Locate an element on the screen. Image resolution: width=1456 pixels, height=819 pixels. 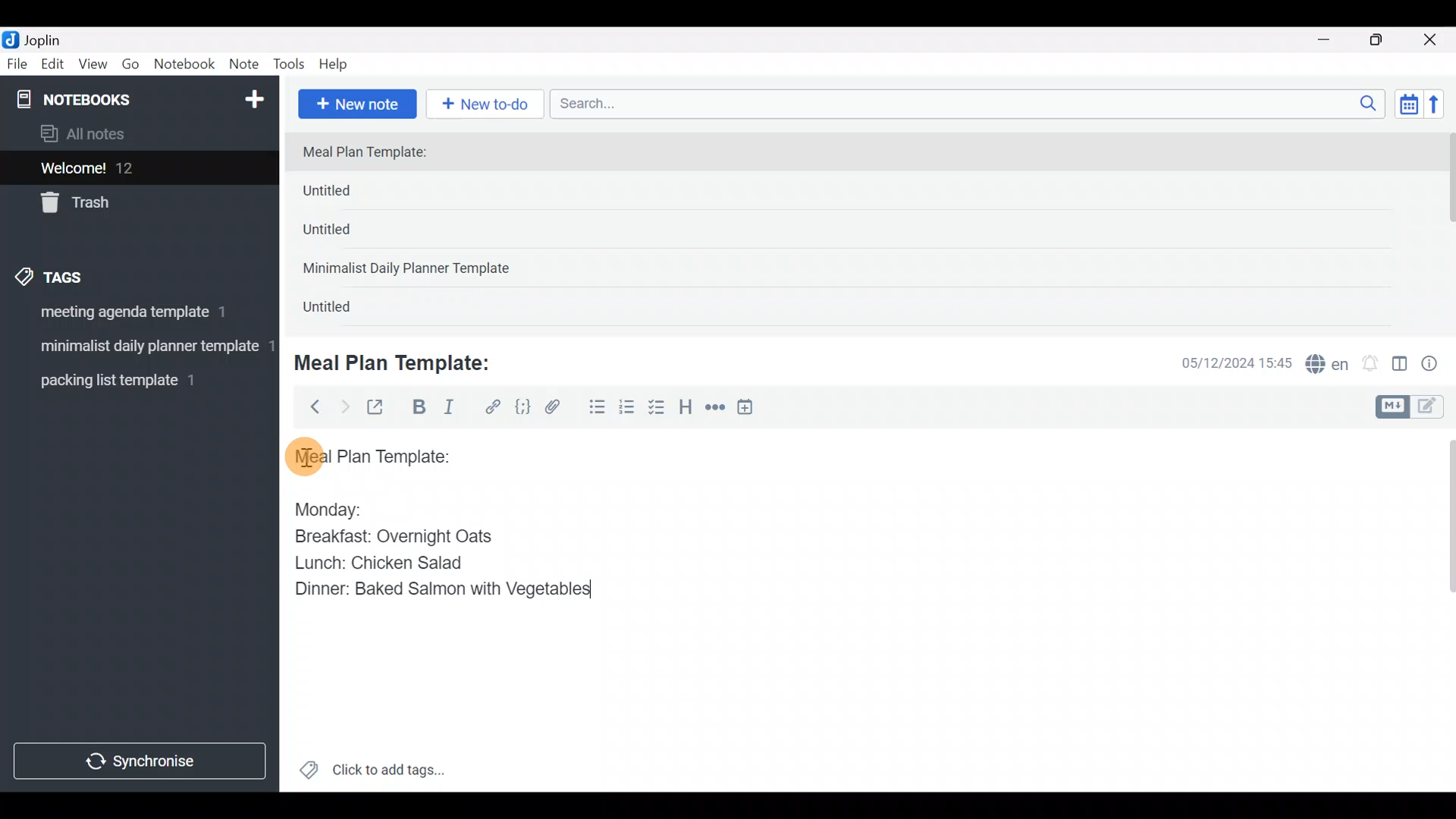
New to-do is located at coordinates (488, 105).